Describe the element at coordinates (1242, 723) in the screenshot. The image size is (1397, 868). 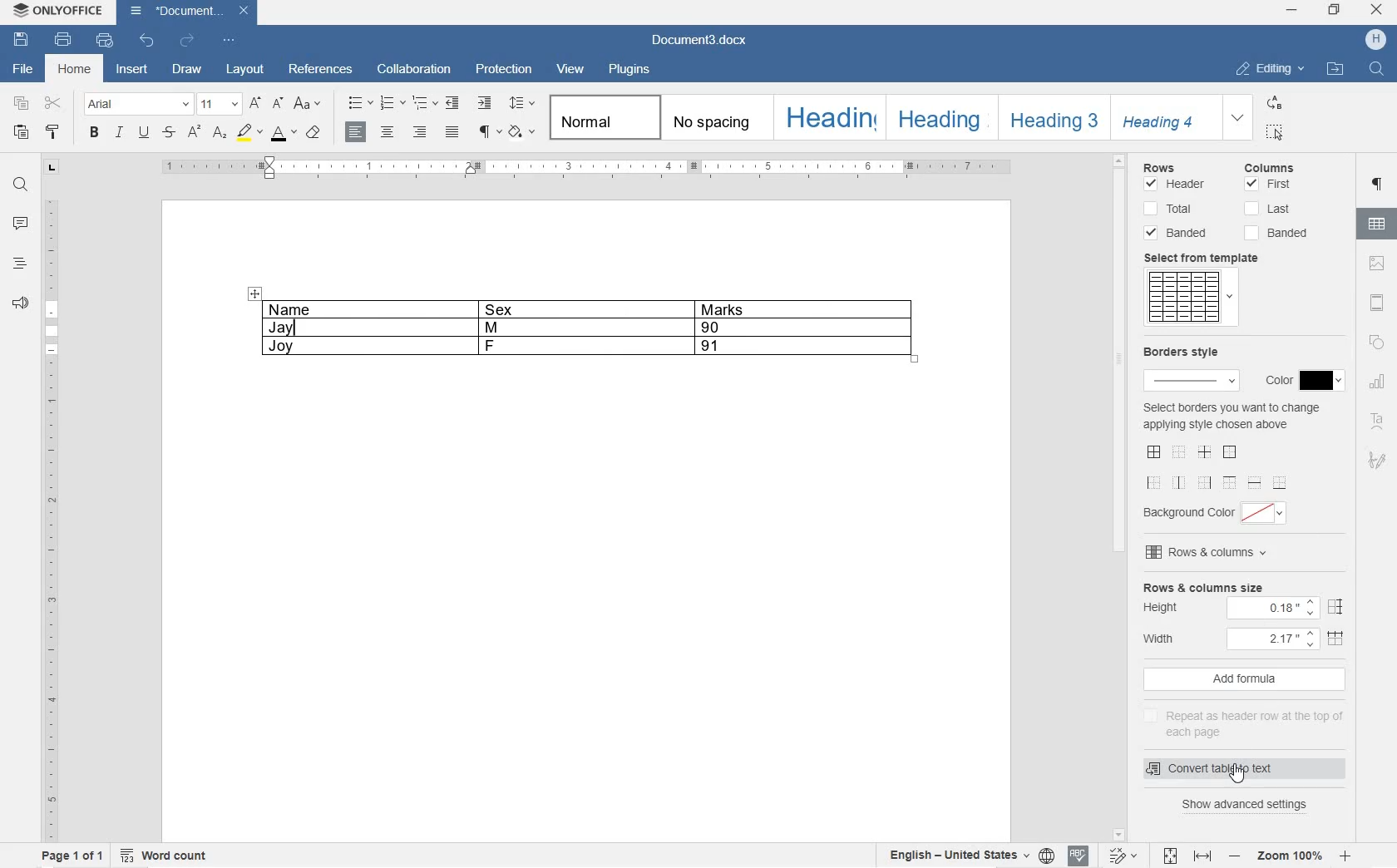
I see `repeat as header row at the top of each page` at that location.